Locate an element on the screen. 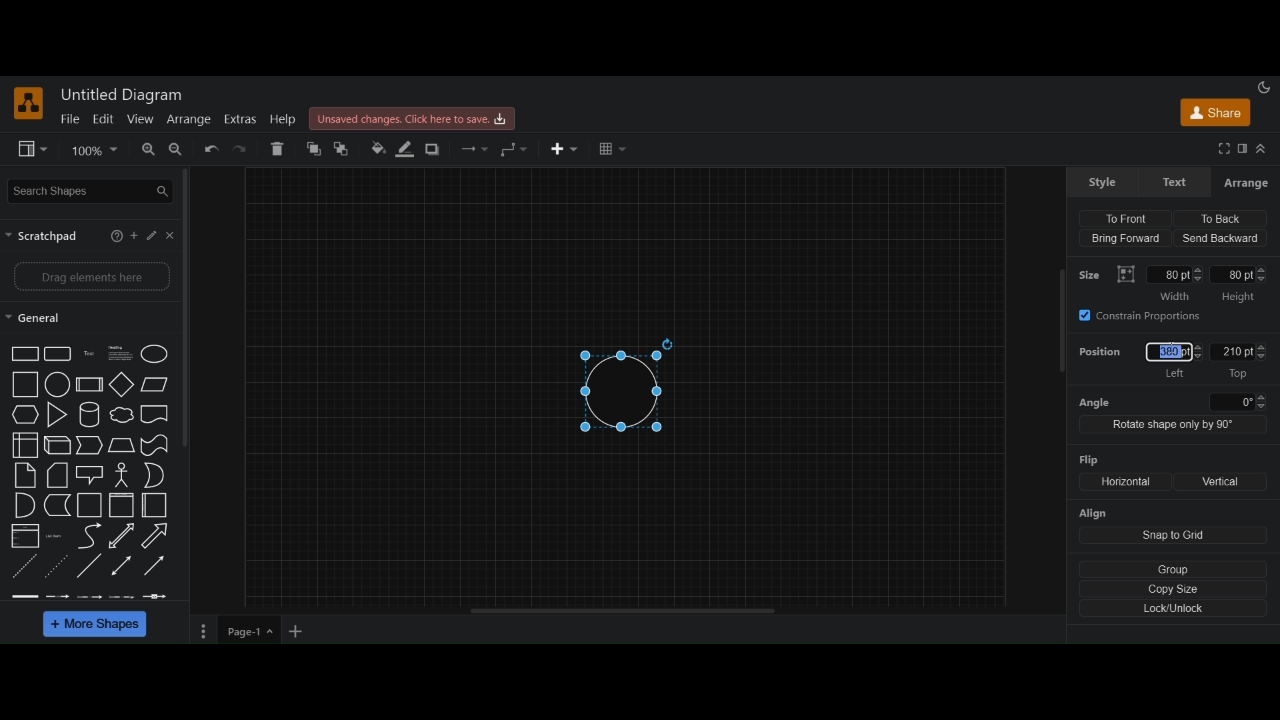 This screenshot has width=1280, height=720. to back is located at coordinates (345, 149).